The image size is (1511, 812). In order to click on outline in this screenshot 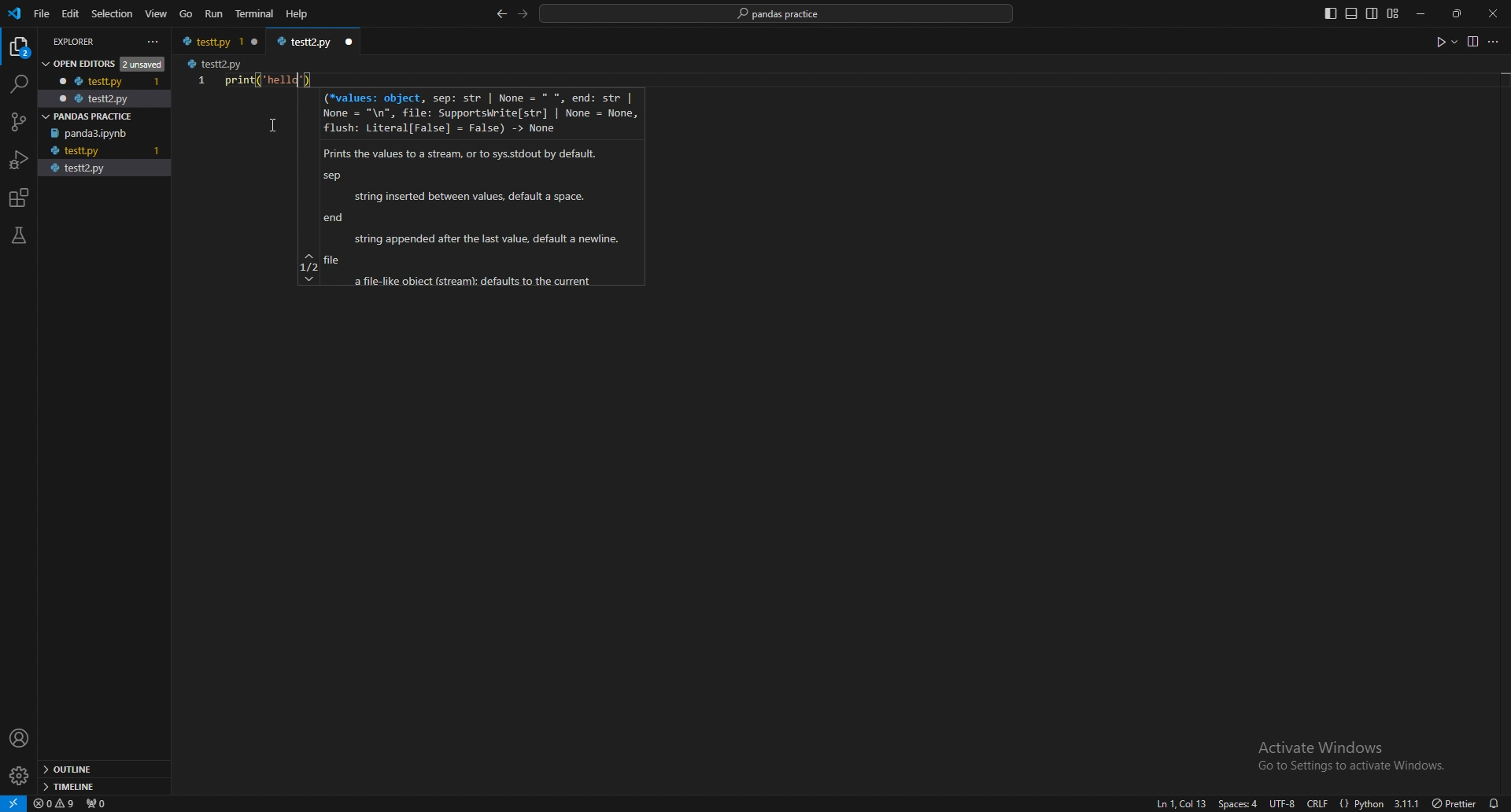, I will do `click(101, 770)`.